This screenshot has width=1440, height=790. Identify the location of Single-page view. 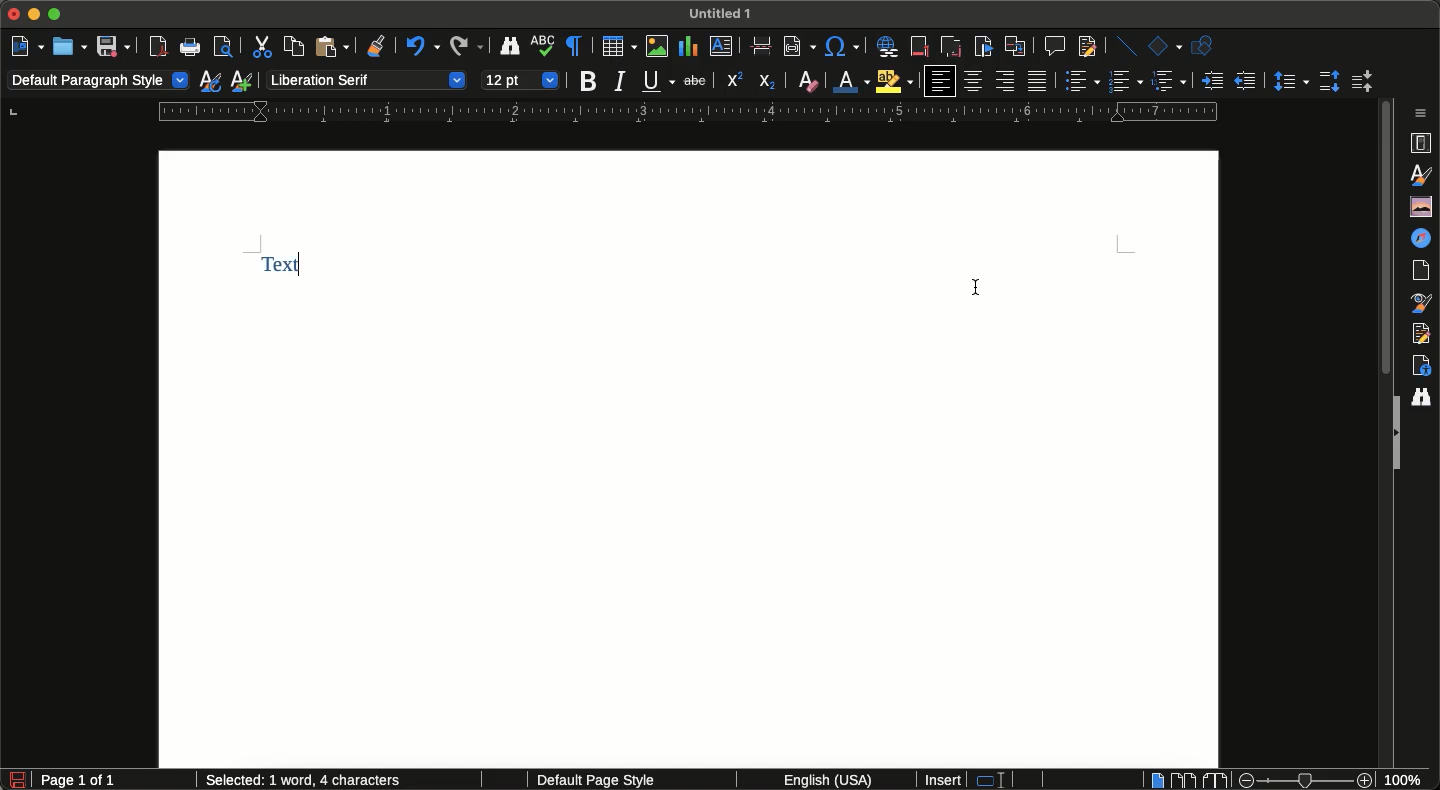
(1155, 781).